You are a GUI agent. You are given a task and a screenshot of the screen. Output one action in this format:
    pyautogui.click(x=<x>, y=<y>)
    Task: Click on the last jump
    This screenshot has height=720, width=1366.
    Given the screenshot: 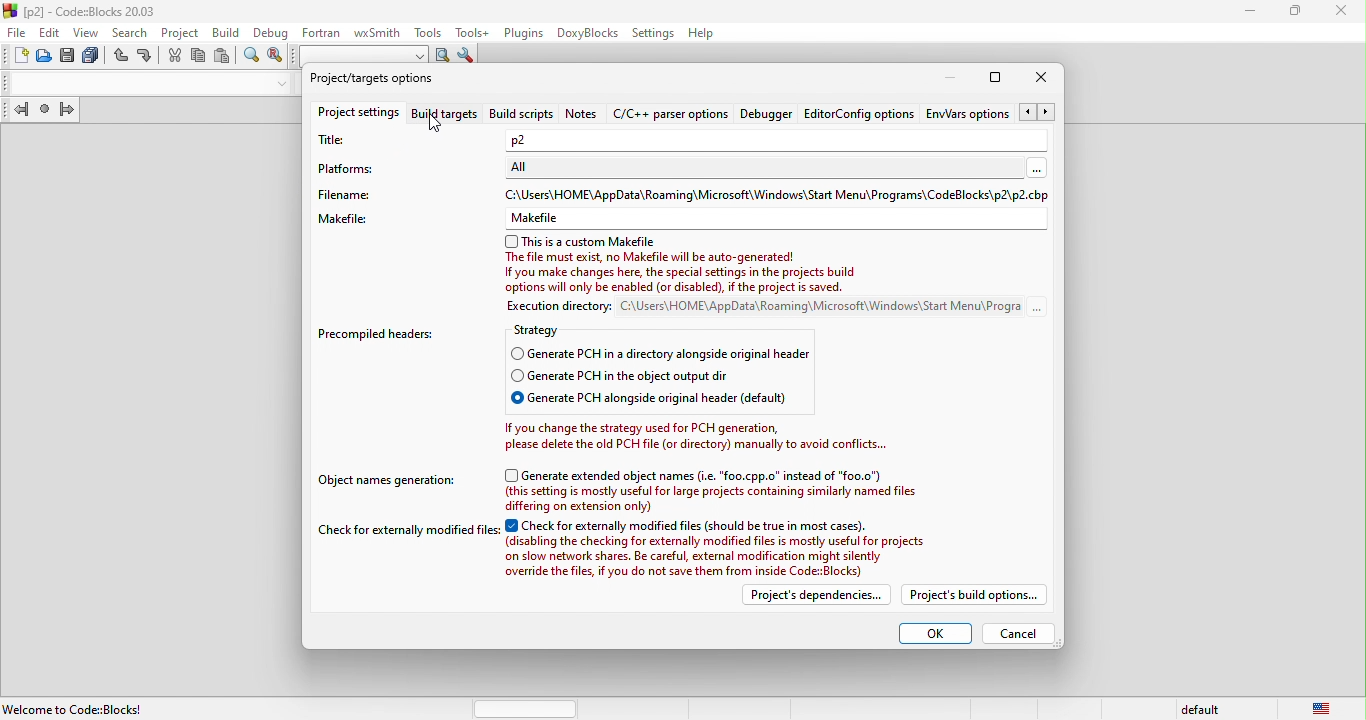 What is the action you would take?
    pyautogui.click(x=44, y=112)
    